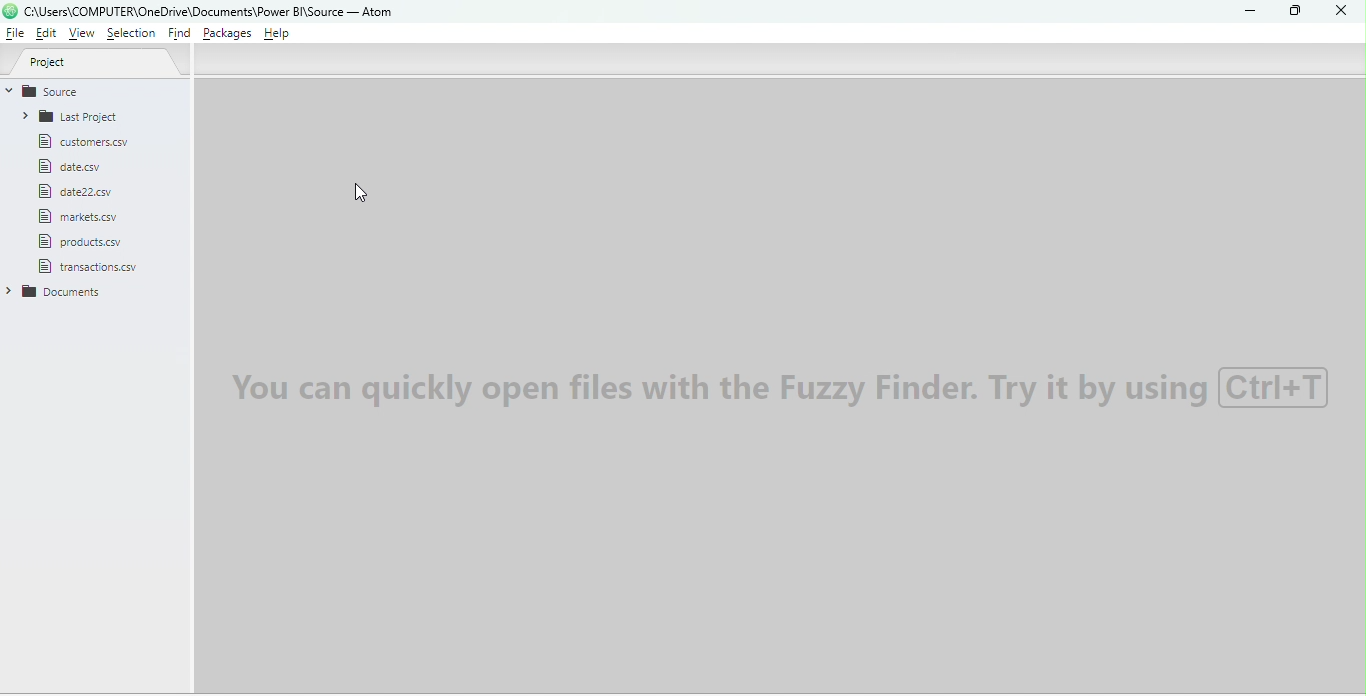 The width and height of the screenshot is (1366, 696). What do you see at coordinates (49, 35) in the screenshot?
I see `Edit` at bounding box center [49, 35].